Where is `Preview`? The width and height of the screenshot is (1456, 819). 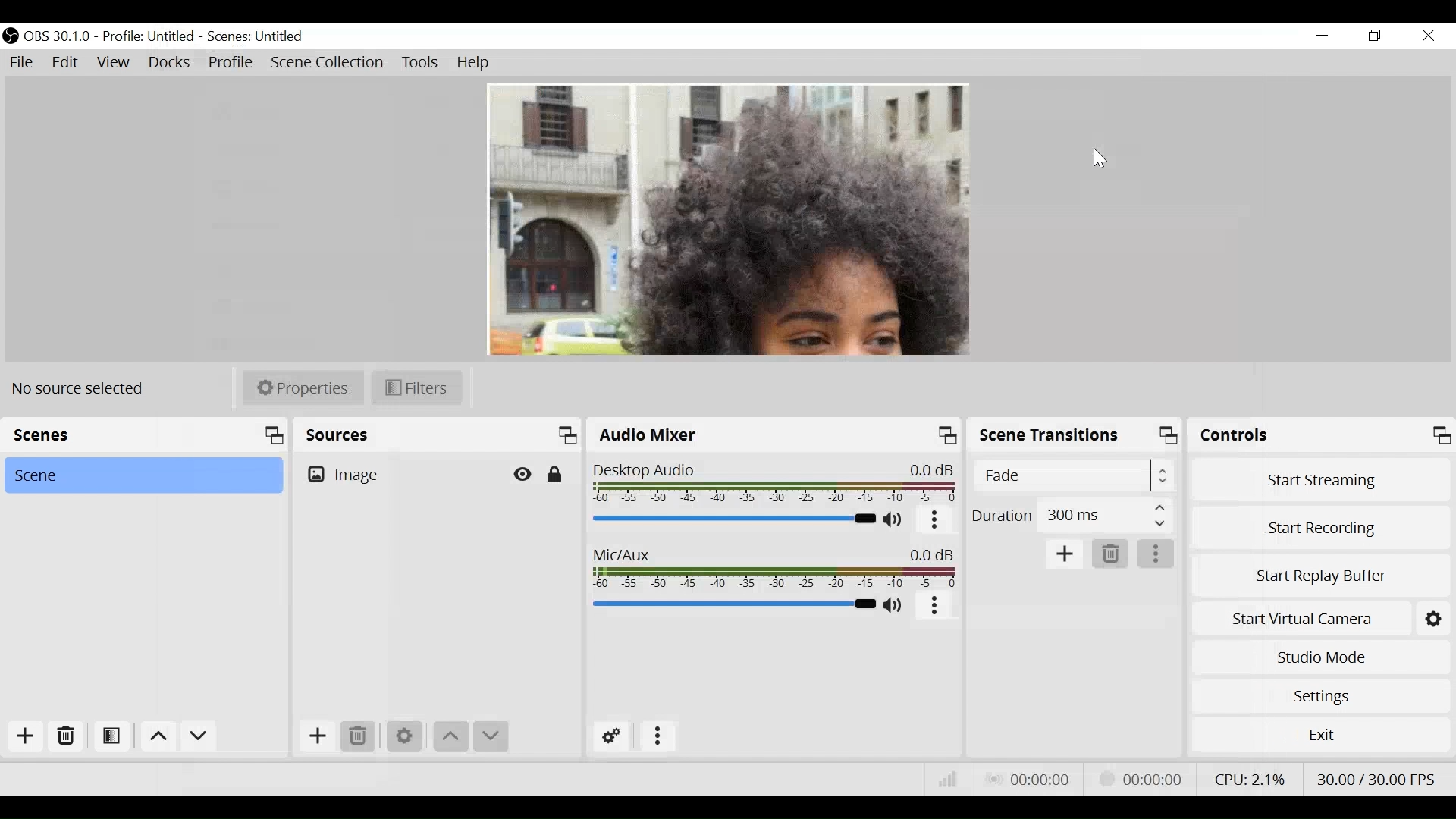
Preview is located at coordinates (729, 221).